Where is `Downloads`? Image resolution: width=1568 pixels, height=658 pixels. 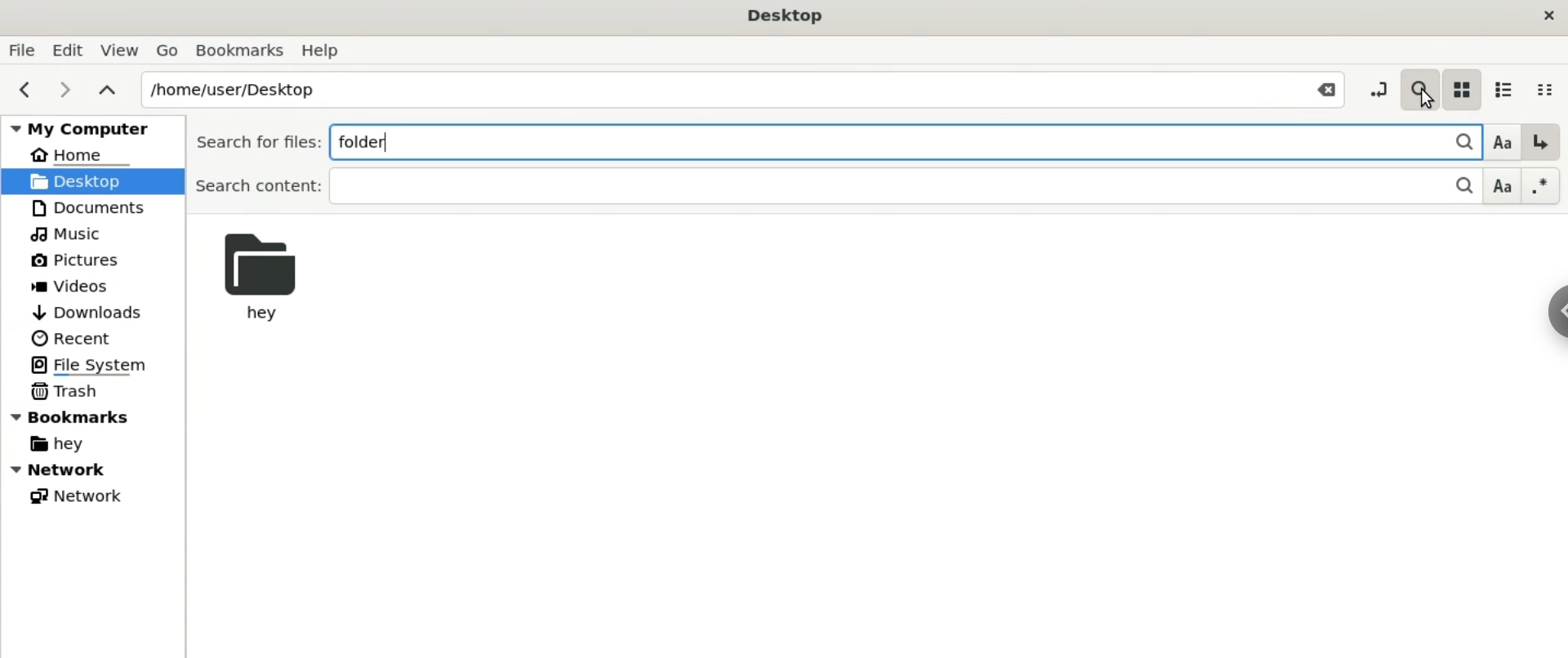
Downloads is located at coordinates (91, 313).